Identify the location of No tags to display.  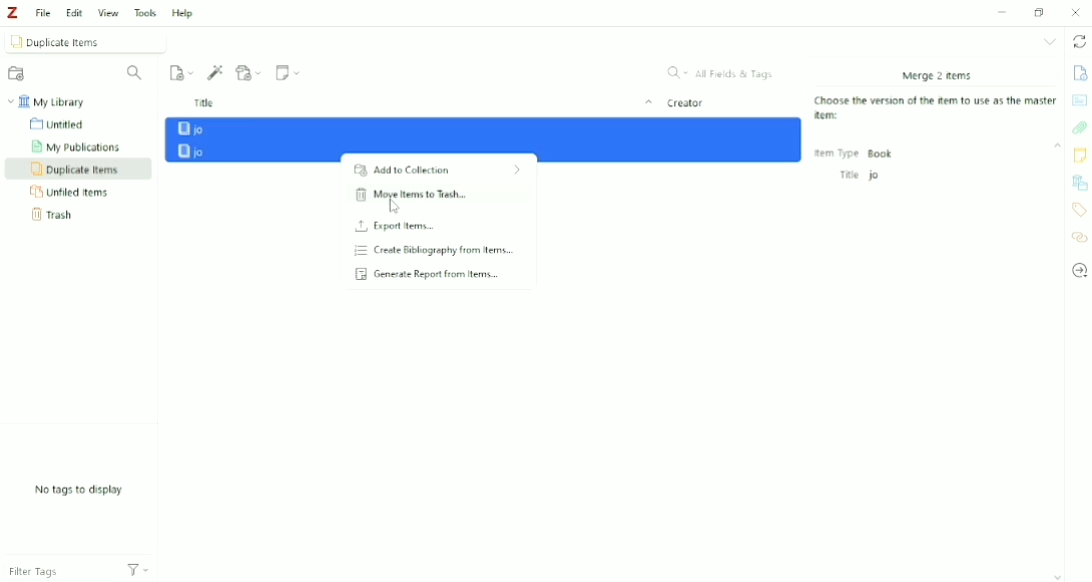
(78, 491).